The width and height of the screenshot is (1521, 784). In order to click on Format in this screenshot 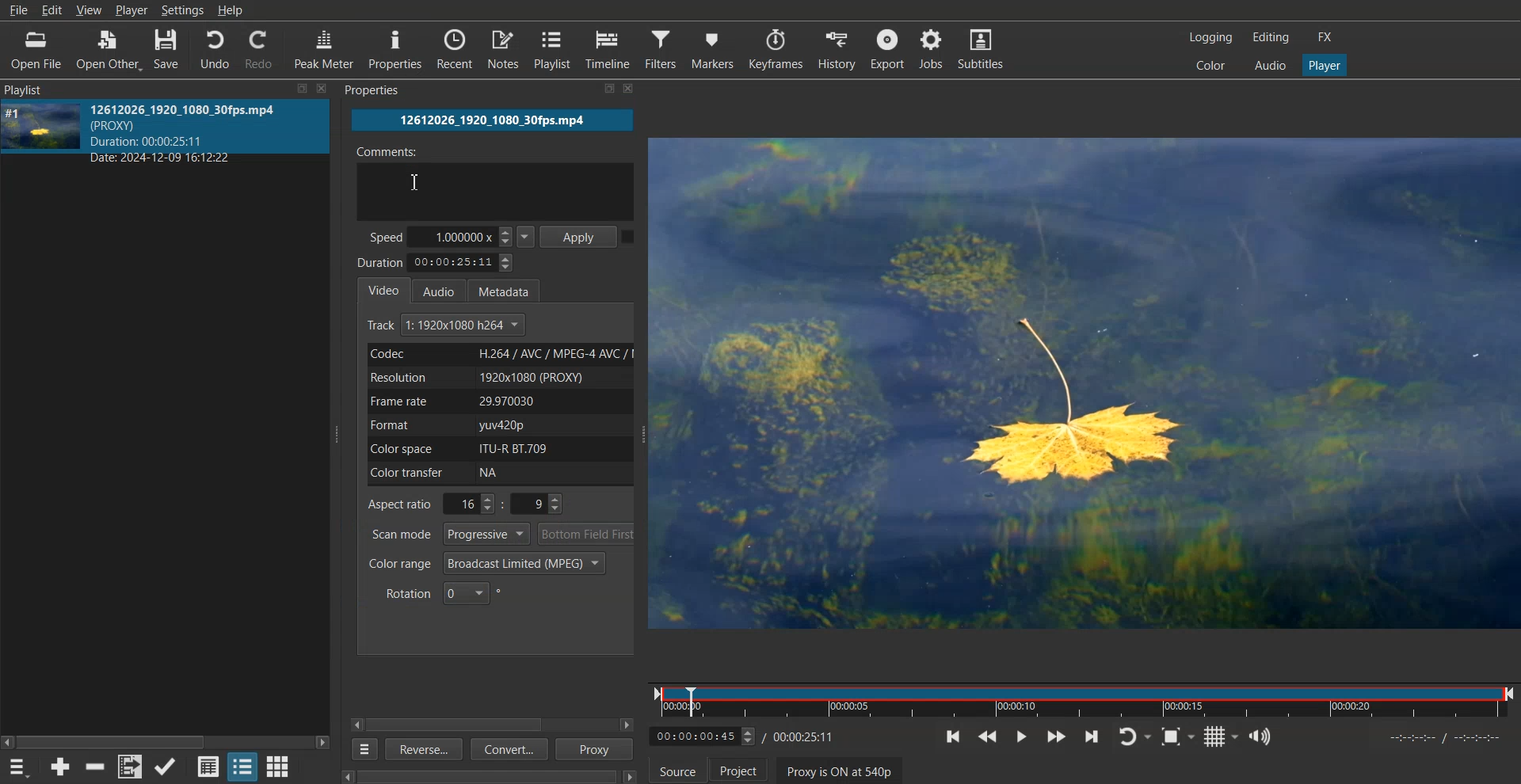, I will do `click(497, 425)`.